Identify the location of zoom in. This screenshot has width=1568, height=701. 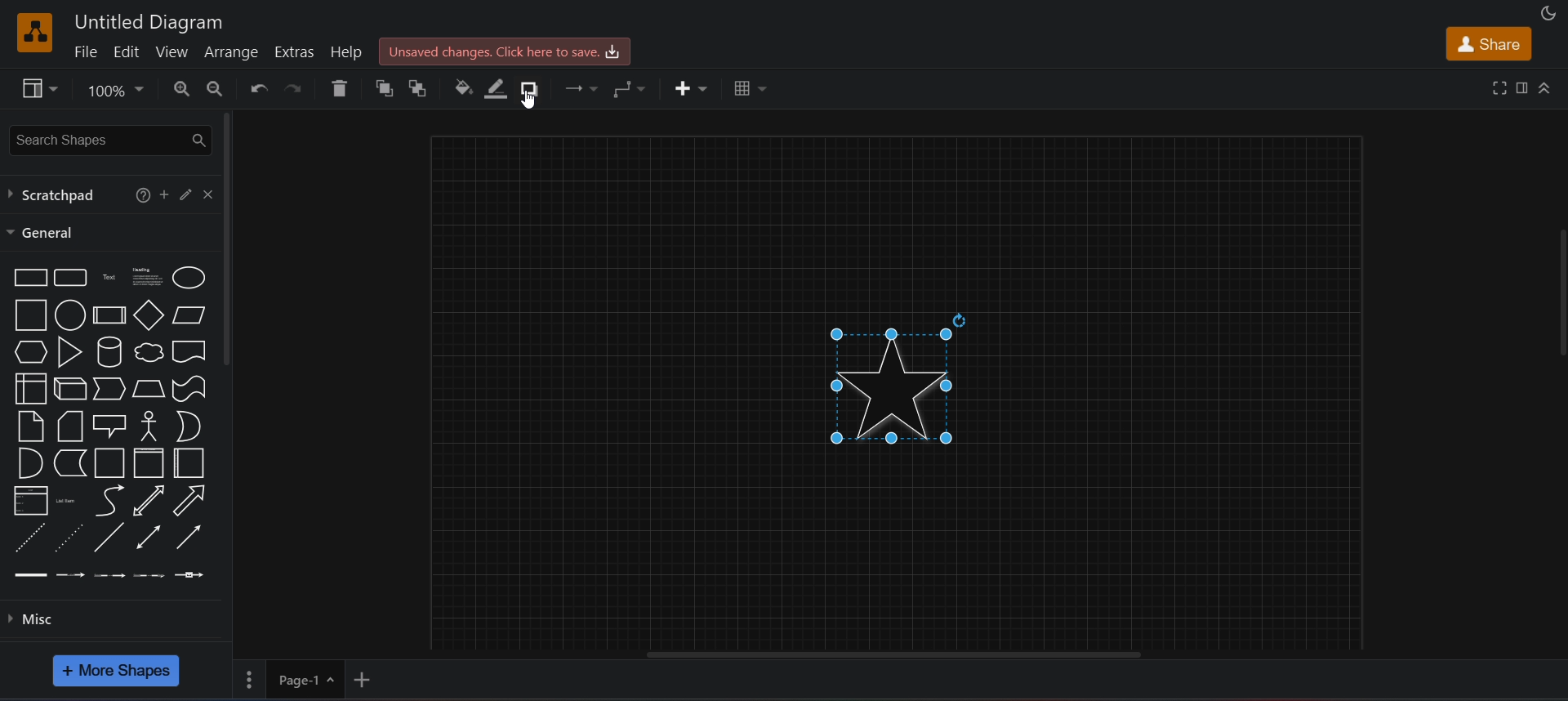
(175, 90).